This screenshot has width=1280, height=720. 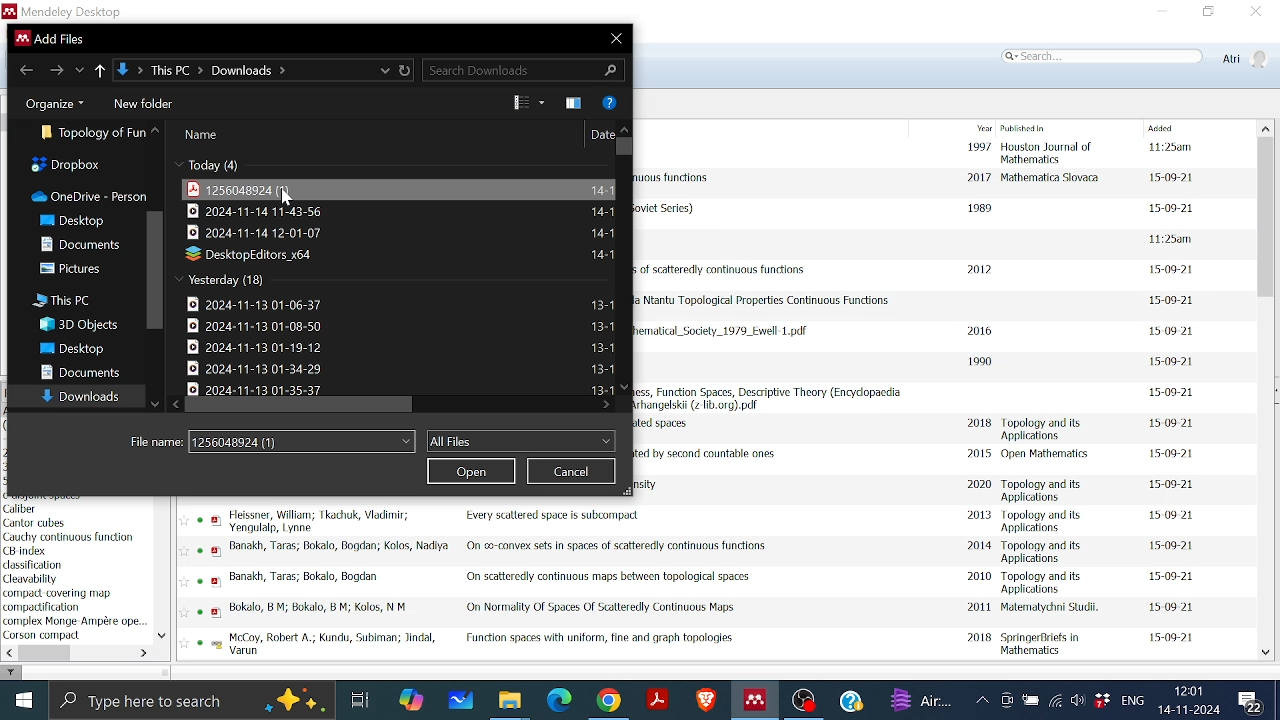 What do you see at coordinates (1102, 55) in the screenshot?
I see `Search` at bounding box center [1102, 55].